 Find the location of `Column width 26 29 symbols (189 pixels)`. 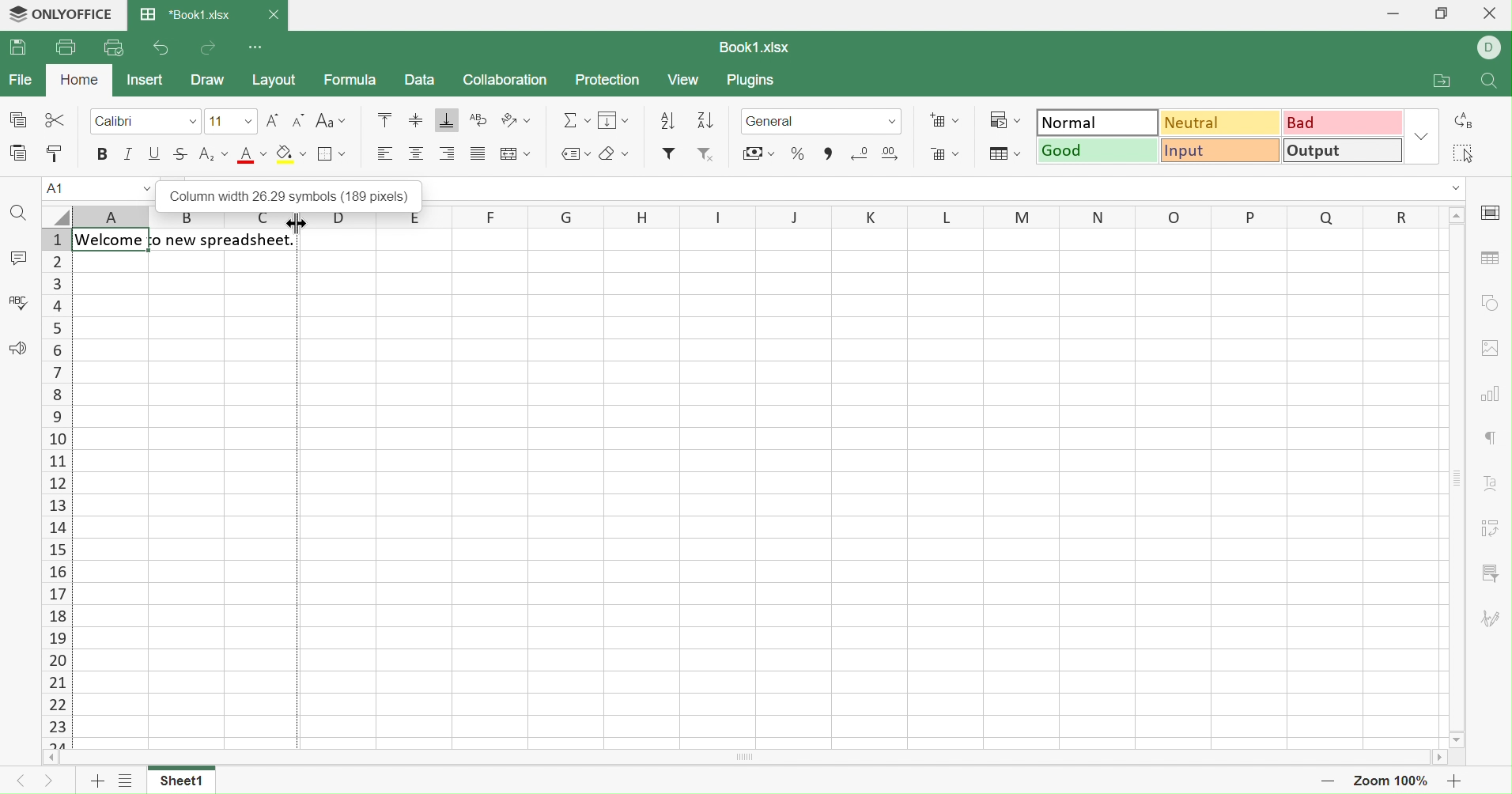

Column width 26 29 symbols (189 pixels) is located at coordinates (284, 191).